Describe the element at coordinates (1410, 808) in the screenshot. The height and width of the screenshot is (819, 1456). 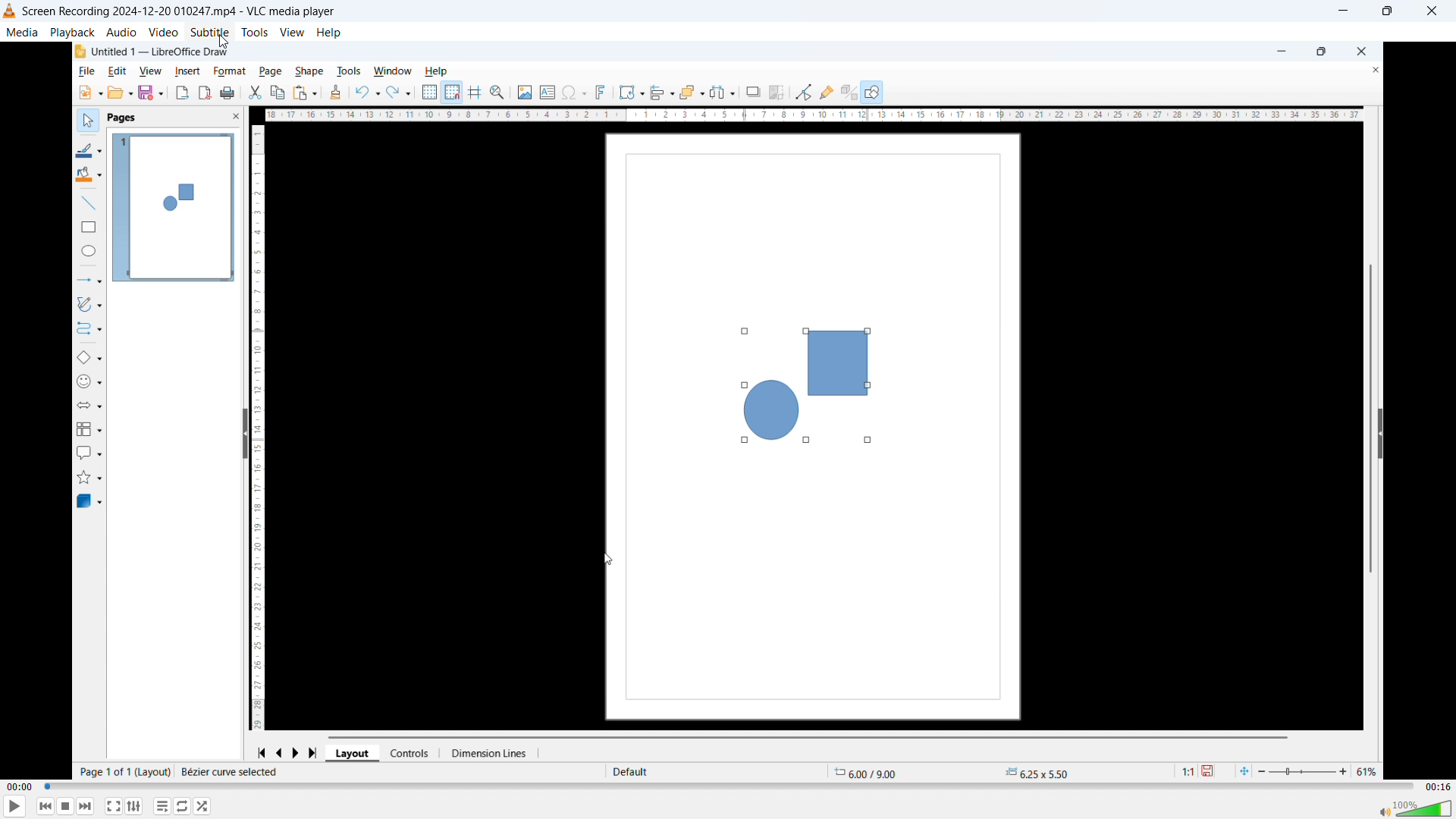
I see `Sound bar ` at that location.